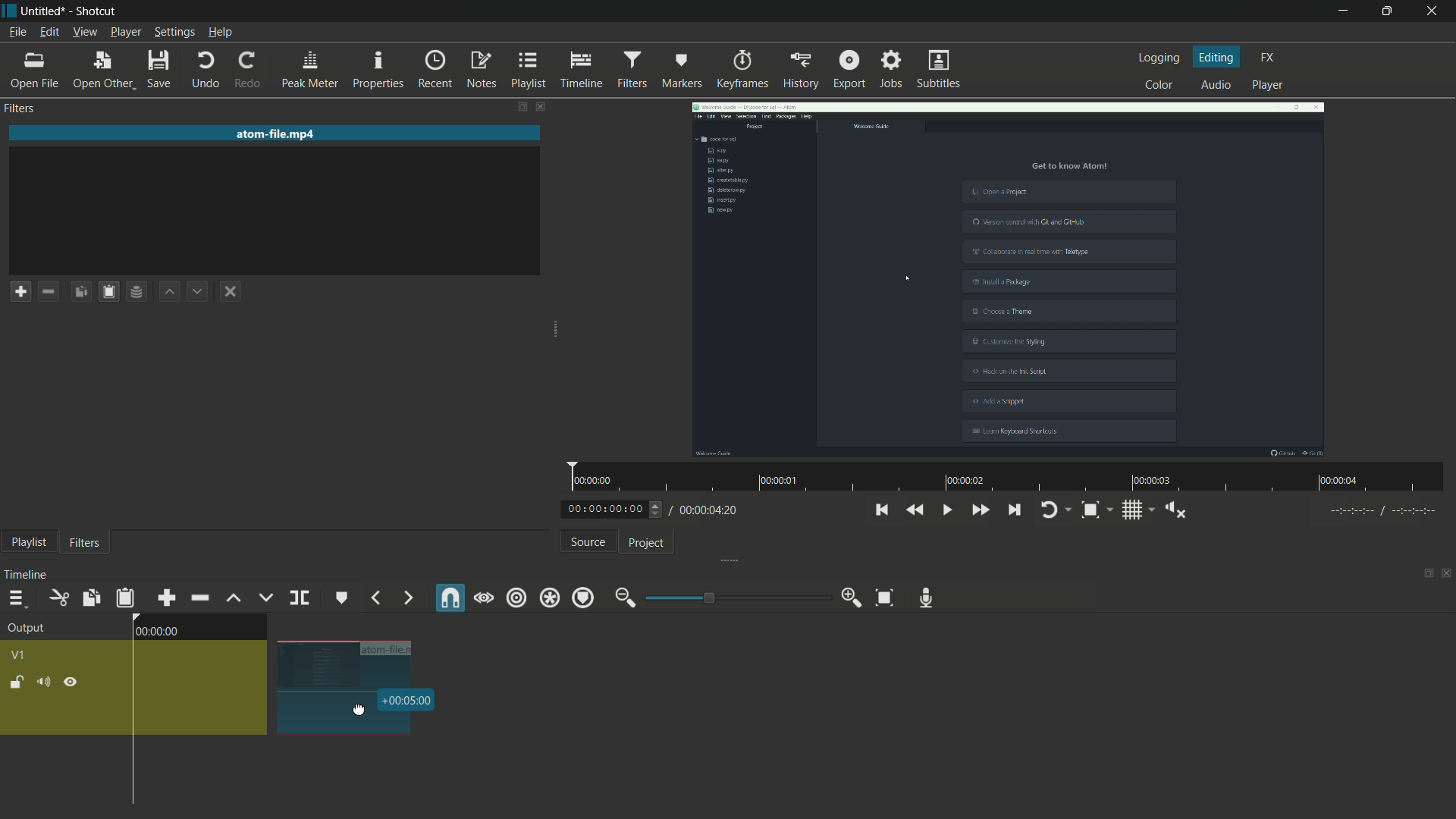 Image resolution: width=1456 pixels, height=819 pixels. Describe the element at coordinates (945, 509) in the screenshot. I see `toggle play or pause` at that location.